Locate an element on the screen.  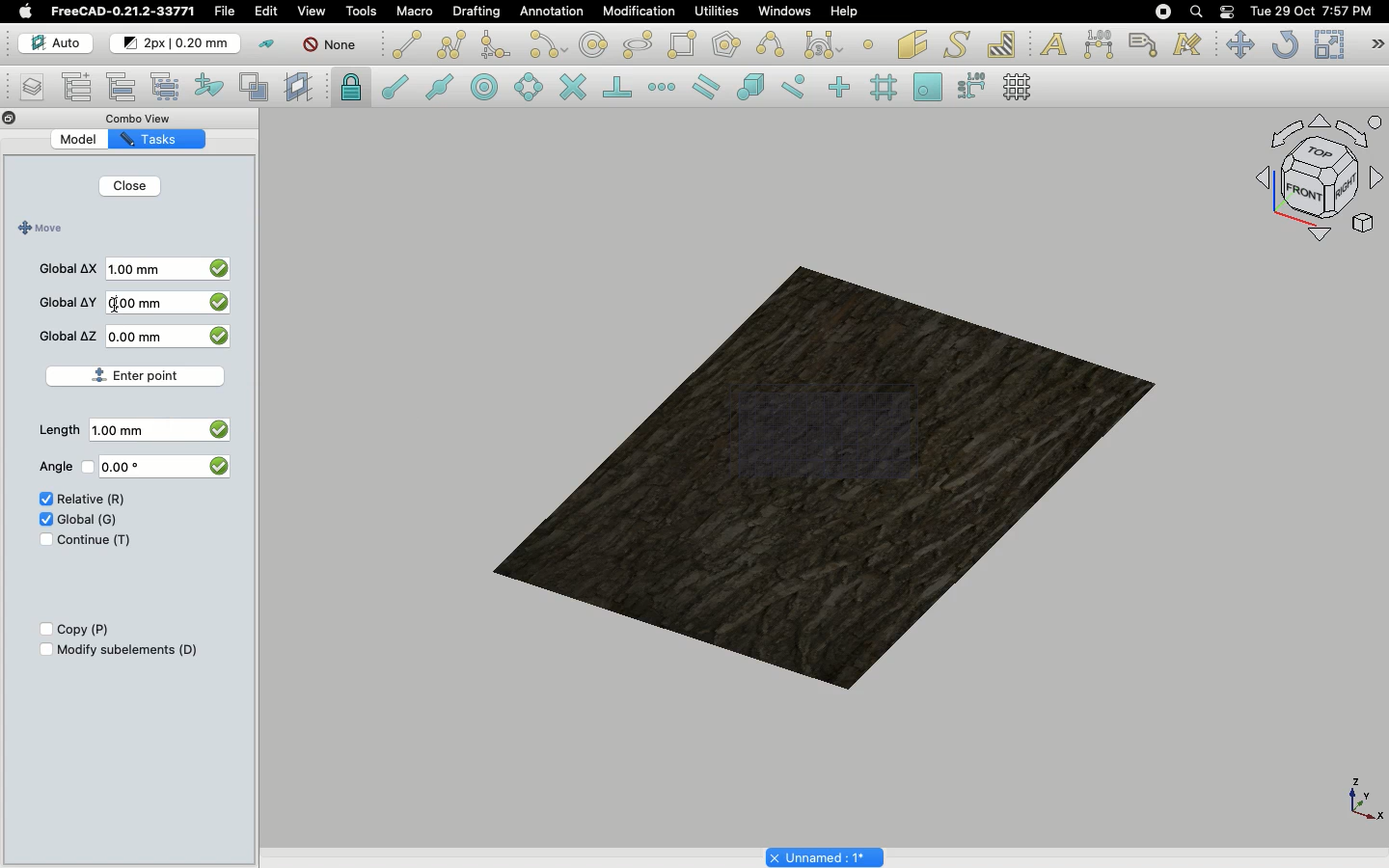
Check is located at coordinates (40, 542).